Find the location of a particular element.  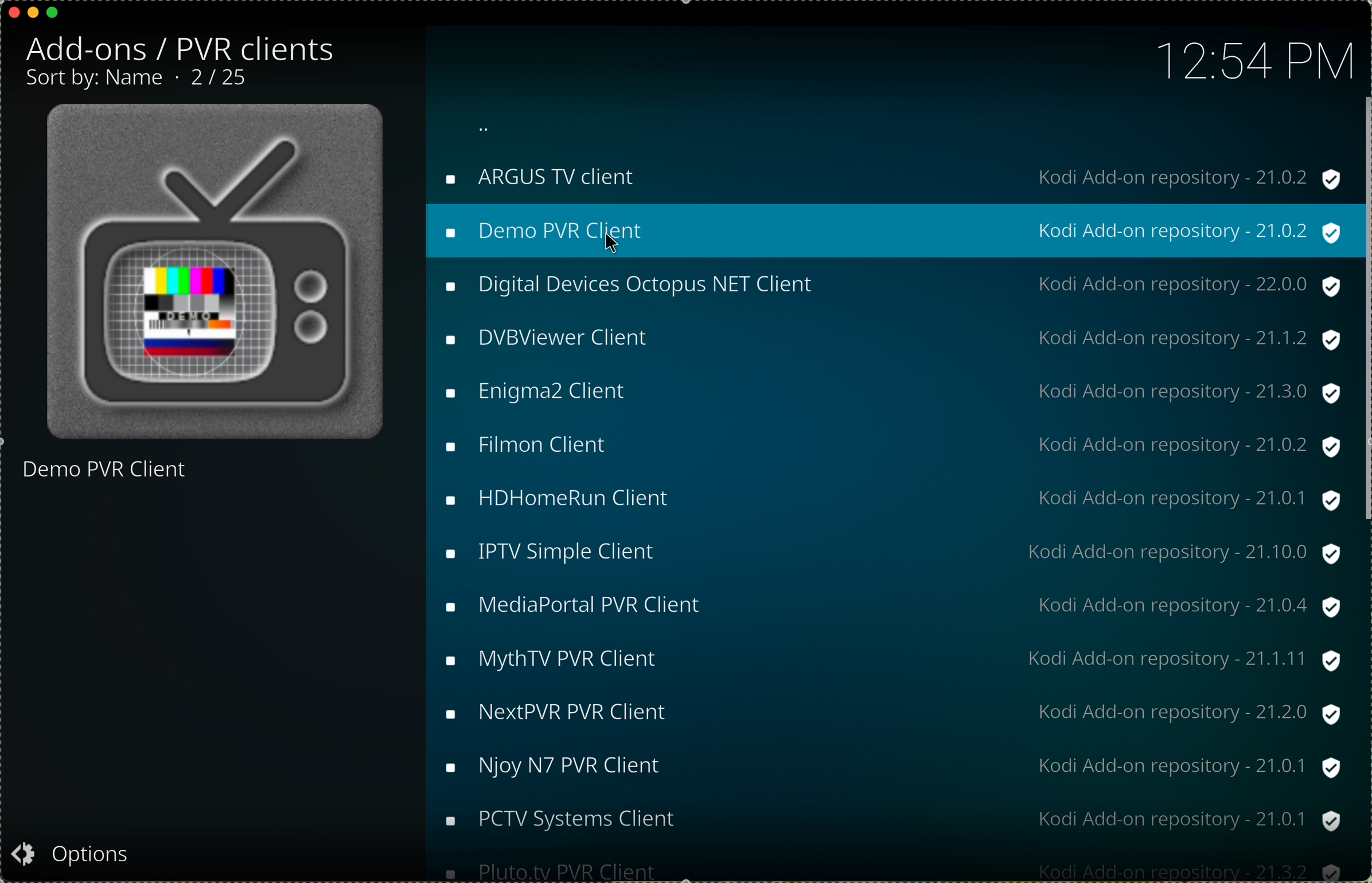

minimize is located at coordinates (33, 17).